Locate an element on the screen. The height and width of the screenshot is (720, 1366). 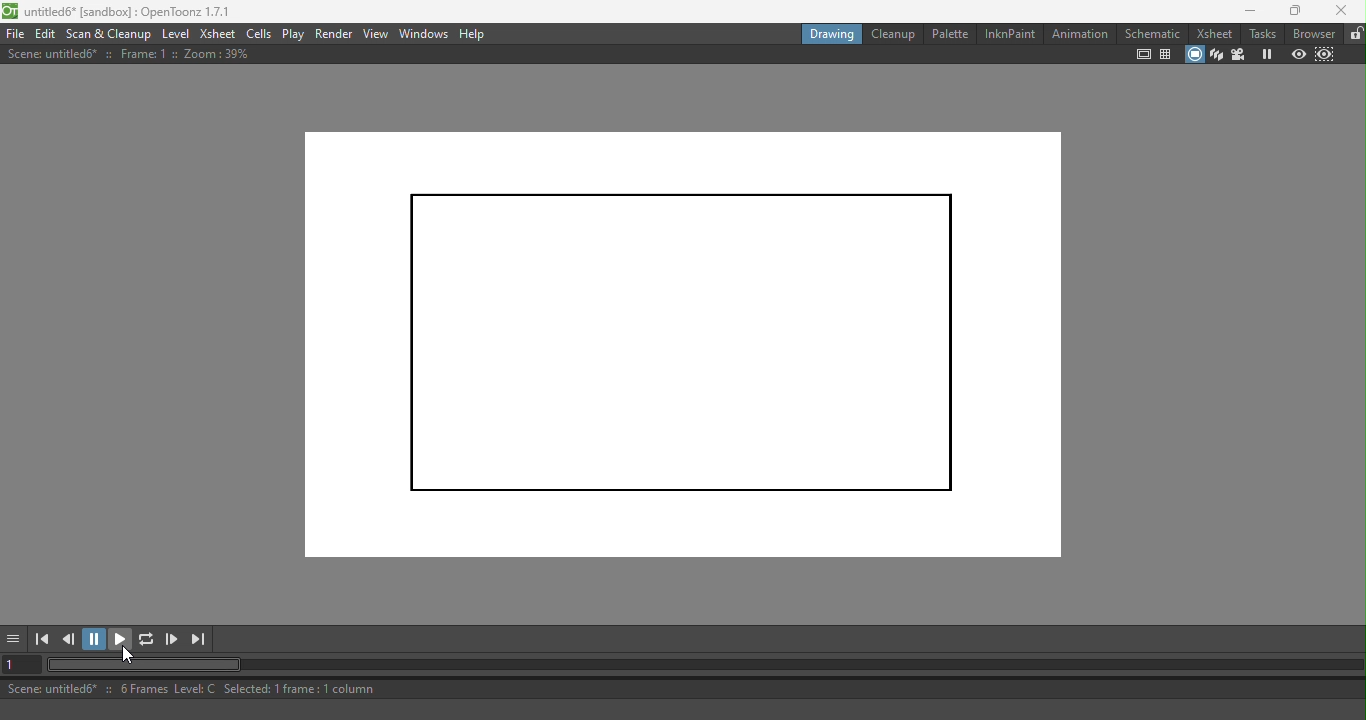
Canvas is located at coordinates (717, 347).